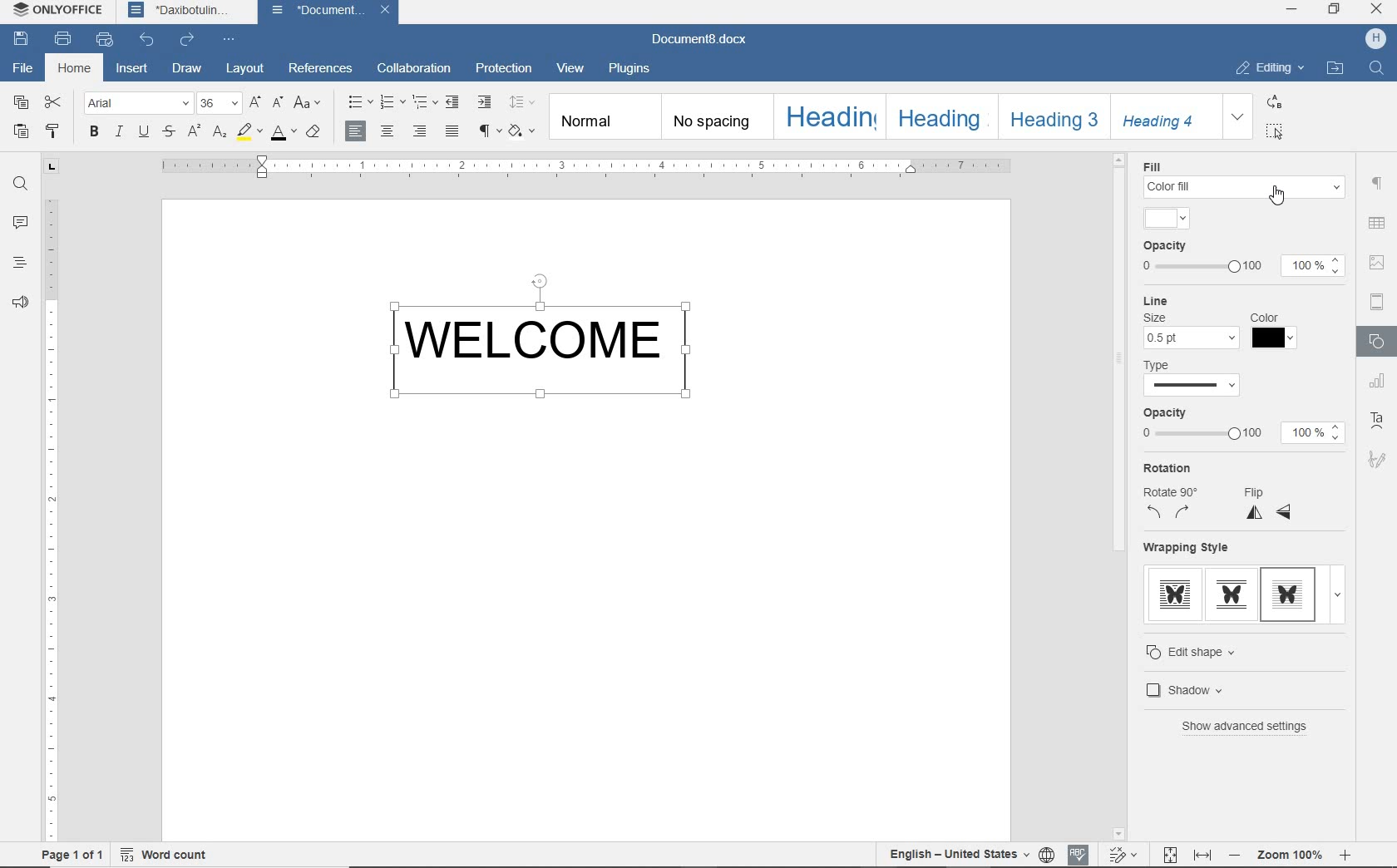  What do you see at coordinates (1243, 187) in the screenshot?
I see `fill` at bounding box center [1243, 187].